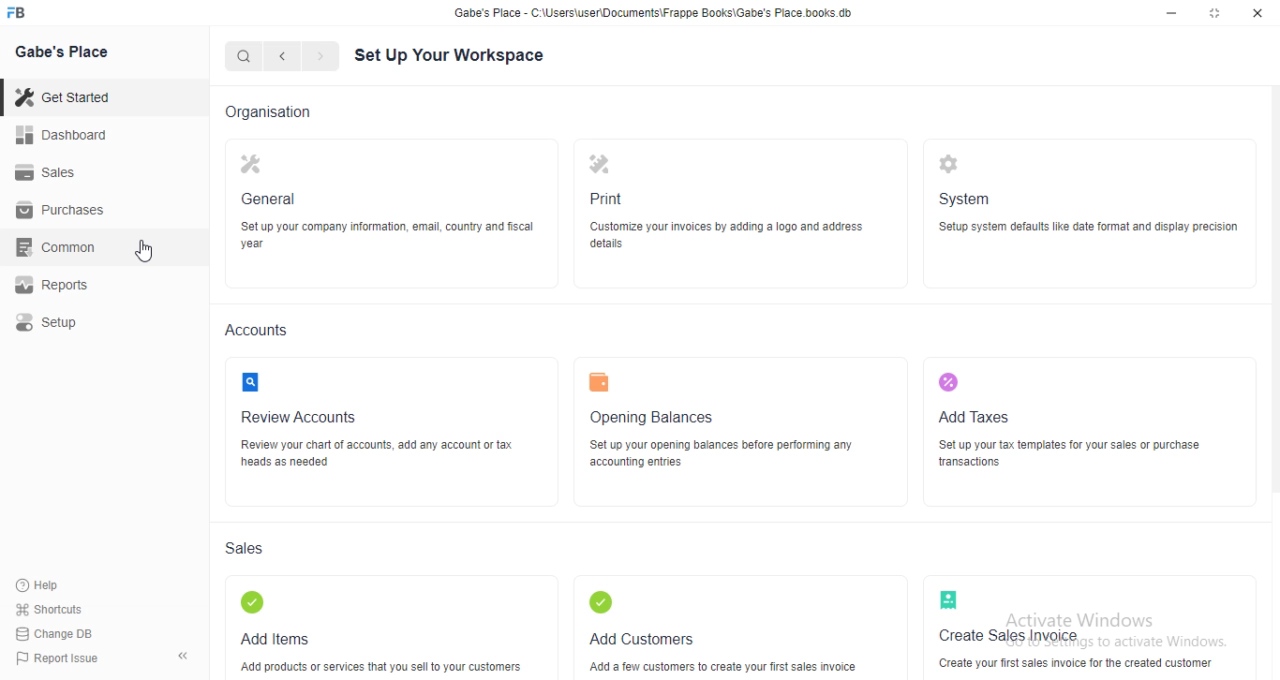  Describe the element at coordinates (954, 163) in the screenshot. I see `logo` at that location.